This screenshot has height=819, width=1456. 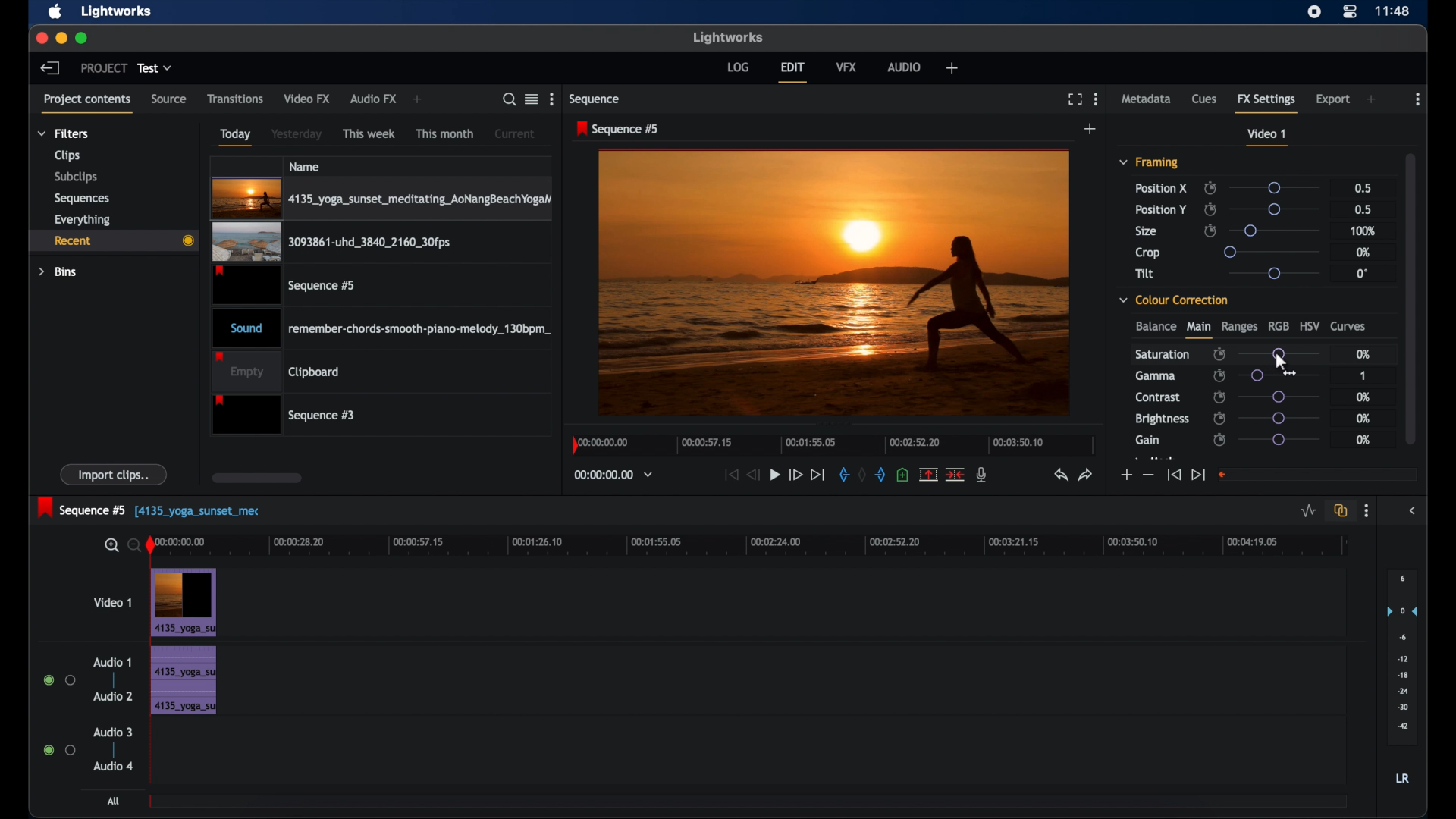 I want to click on mic, so click(x=983, y=475).